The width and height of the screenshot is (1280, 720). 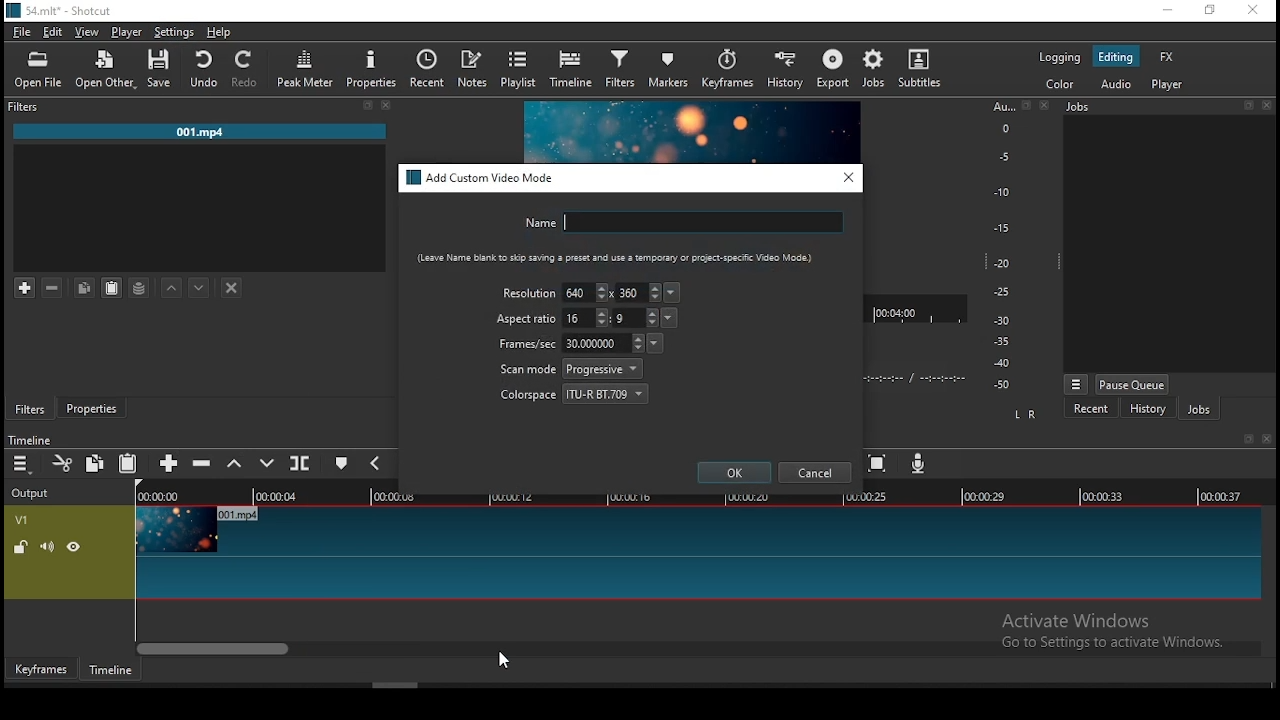 I want to click on previous marker, so click(x=374, y=462).